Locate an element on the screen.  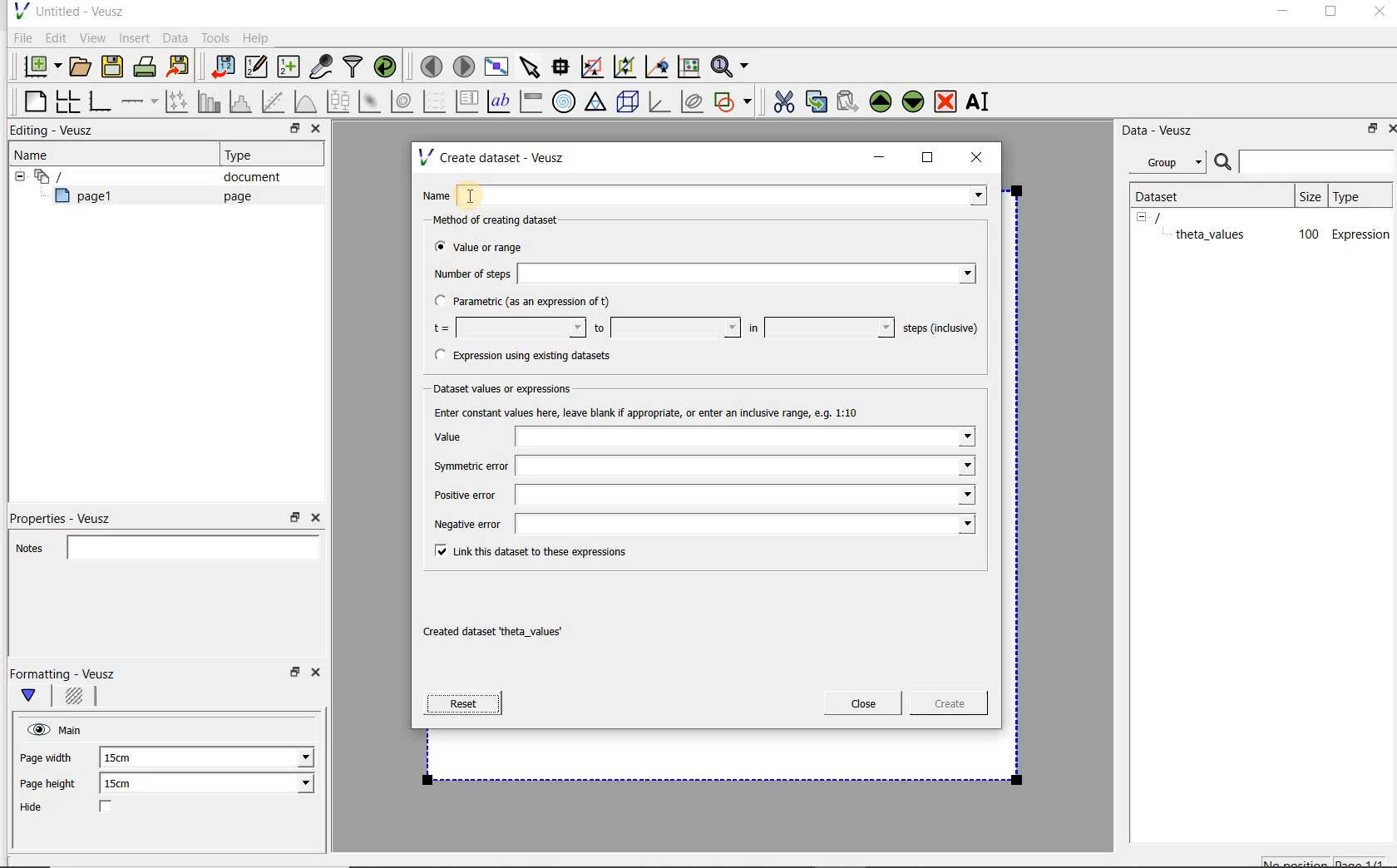
Export to graphics format is located at coordinates (179, 68).